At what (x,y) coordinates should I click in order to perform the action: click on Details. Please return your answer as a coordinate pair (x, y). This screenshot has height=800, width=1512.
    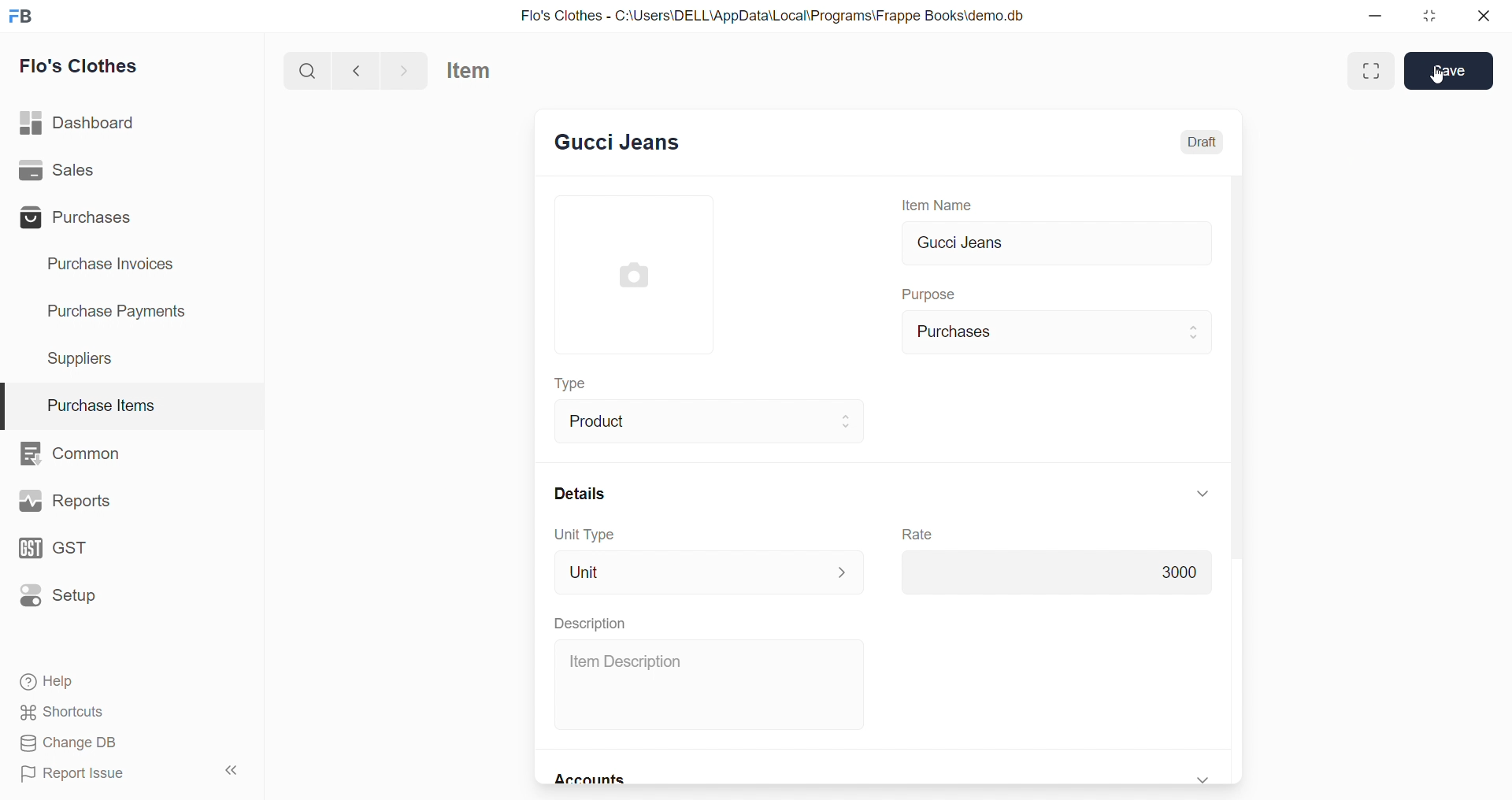
    Looking at the image, I should click on (576, 493).